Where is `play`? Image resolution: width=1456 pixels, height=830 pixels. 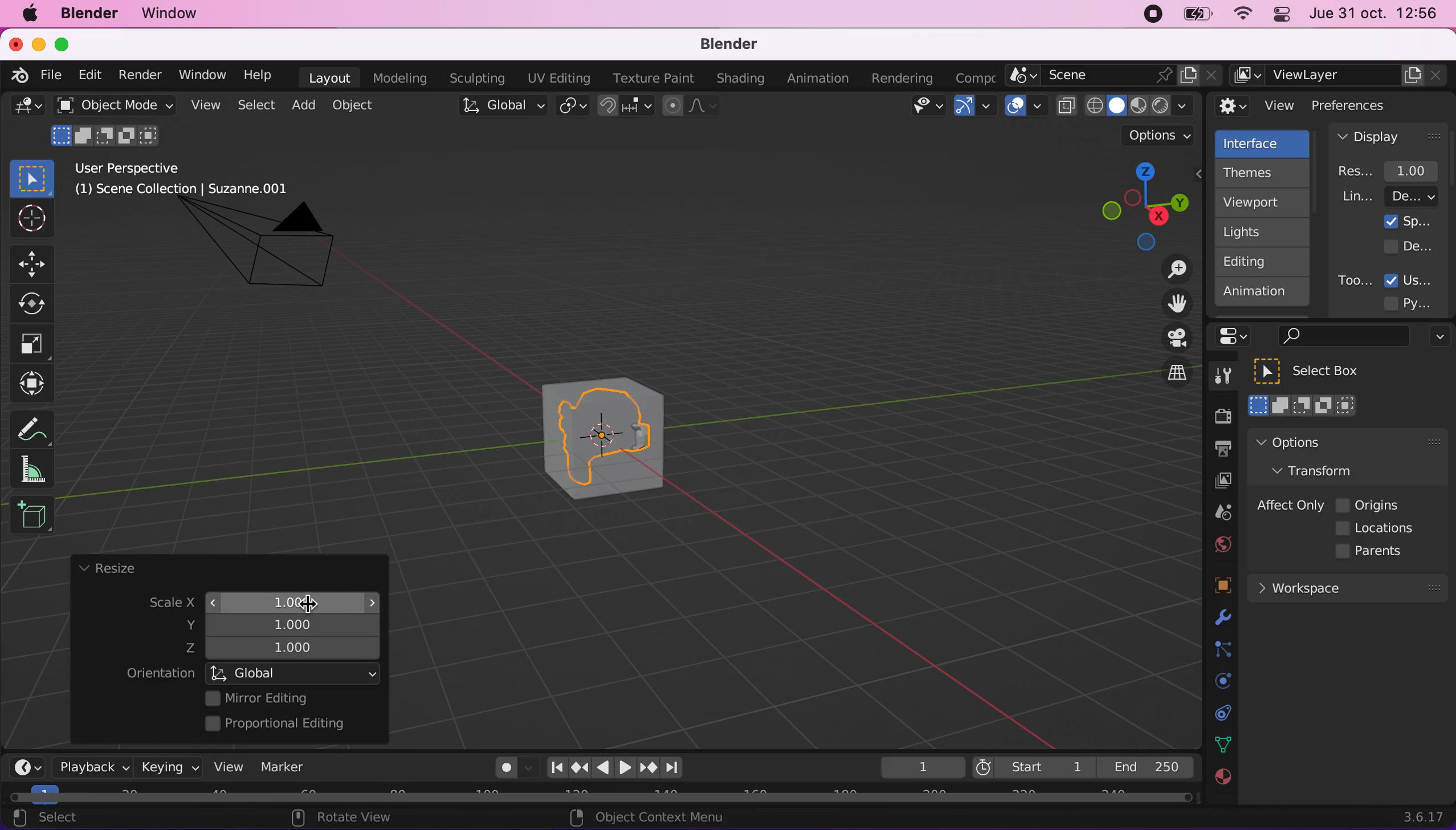 play is located at coordinates (615, 768).